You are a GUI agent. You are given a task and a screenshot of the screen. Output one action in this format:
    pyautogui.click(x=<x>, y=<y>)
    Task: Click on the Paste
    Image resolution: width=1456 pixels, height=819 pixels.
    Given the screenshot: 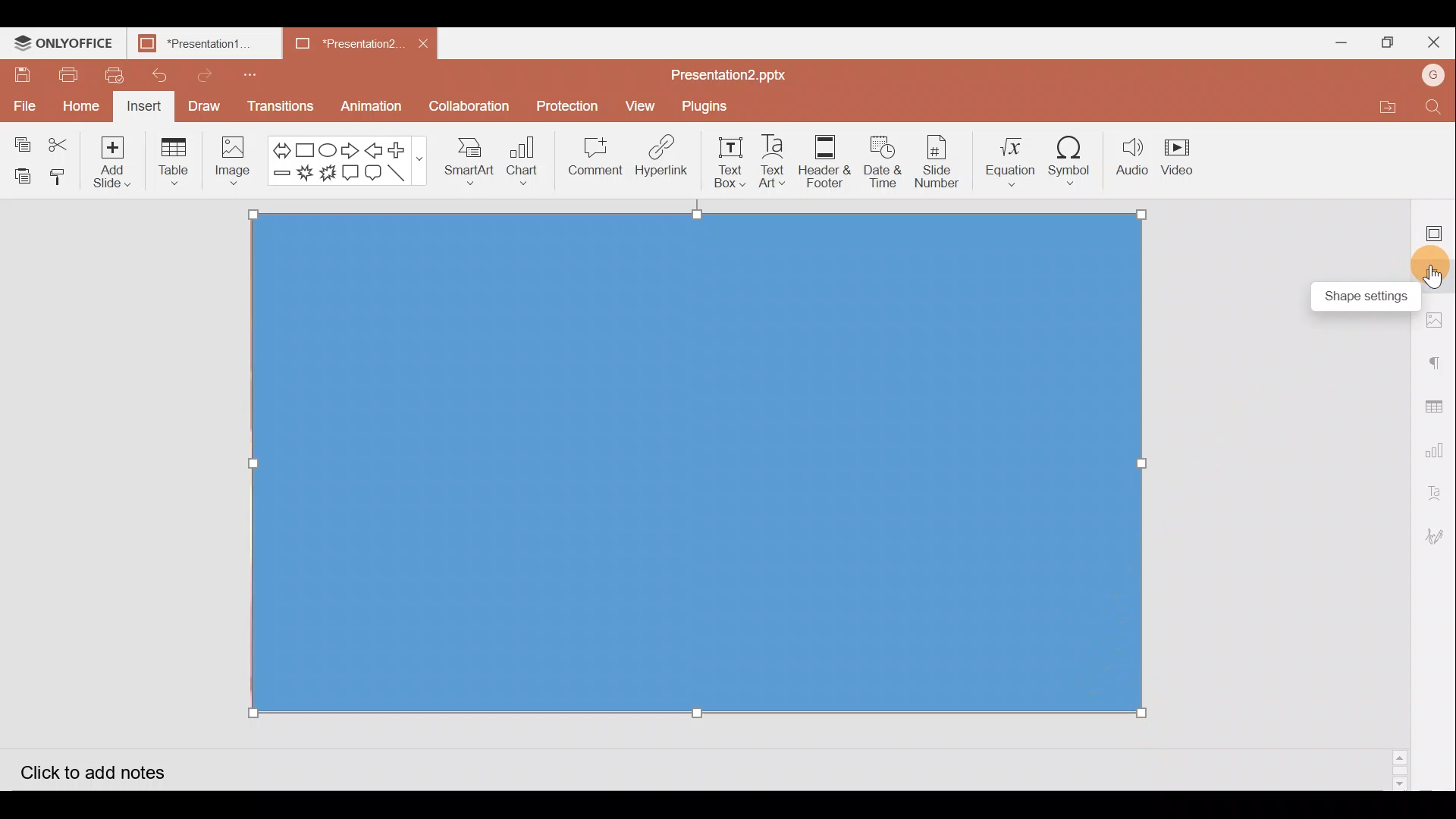 What is the action you would take?
    pyautogui.click(x=21, y=173)
    